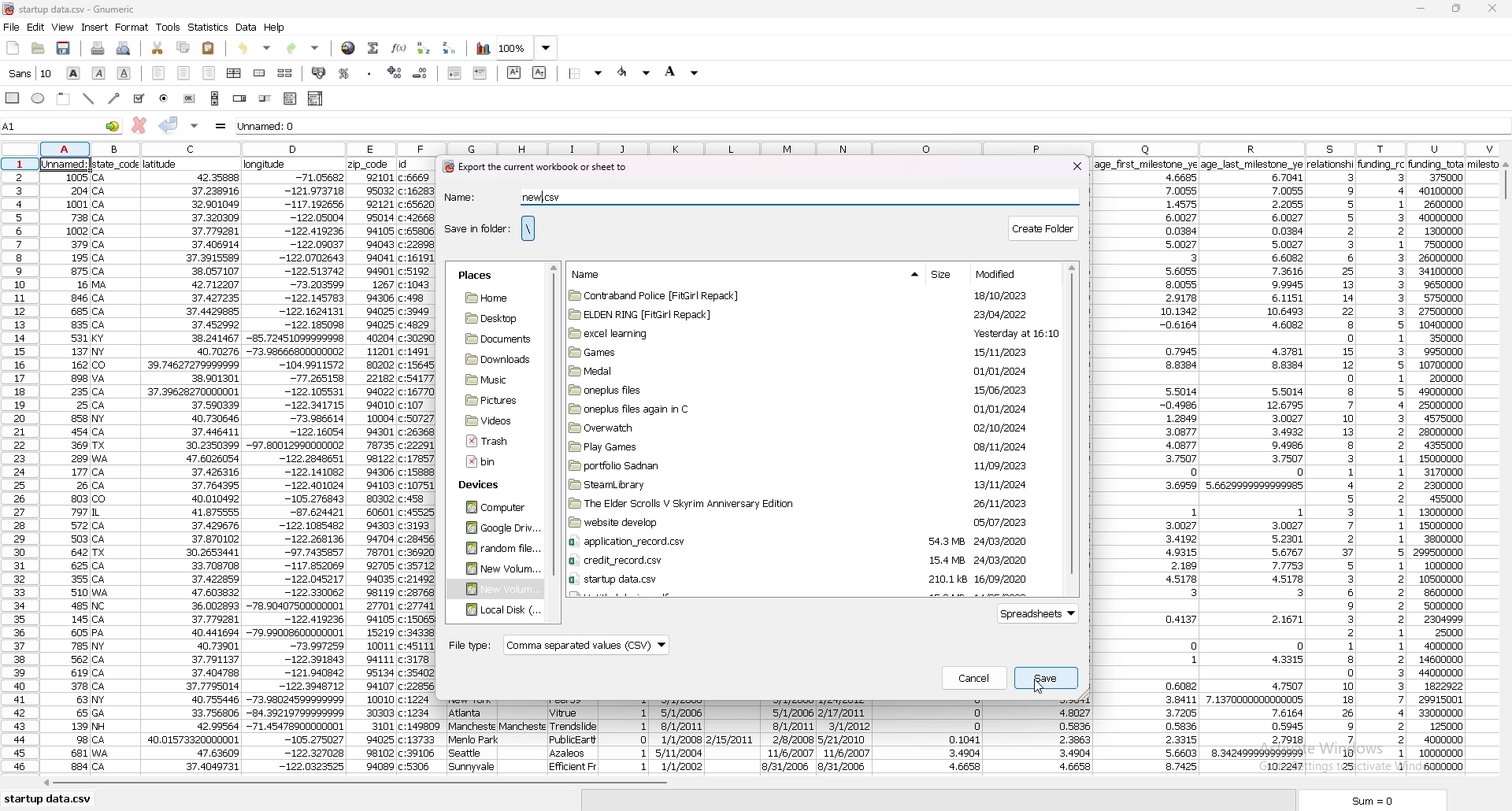  What do you see at coordinates (806, 447) in the screenshot?
I see `folder` at bounding box center [806, 447].